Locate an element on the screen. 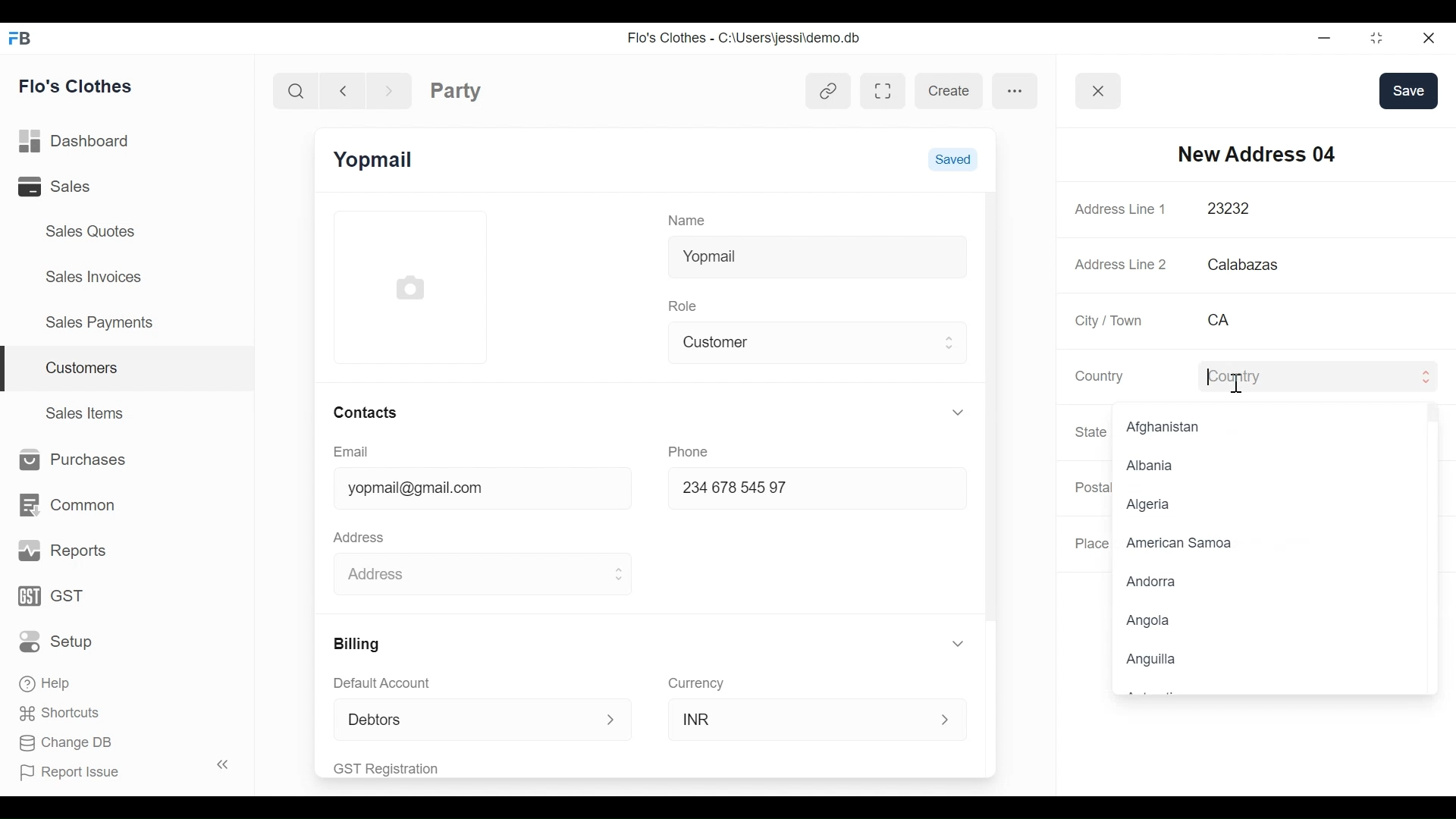  text cursor is located at coordinates (1236, 383).